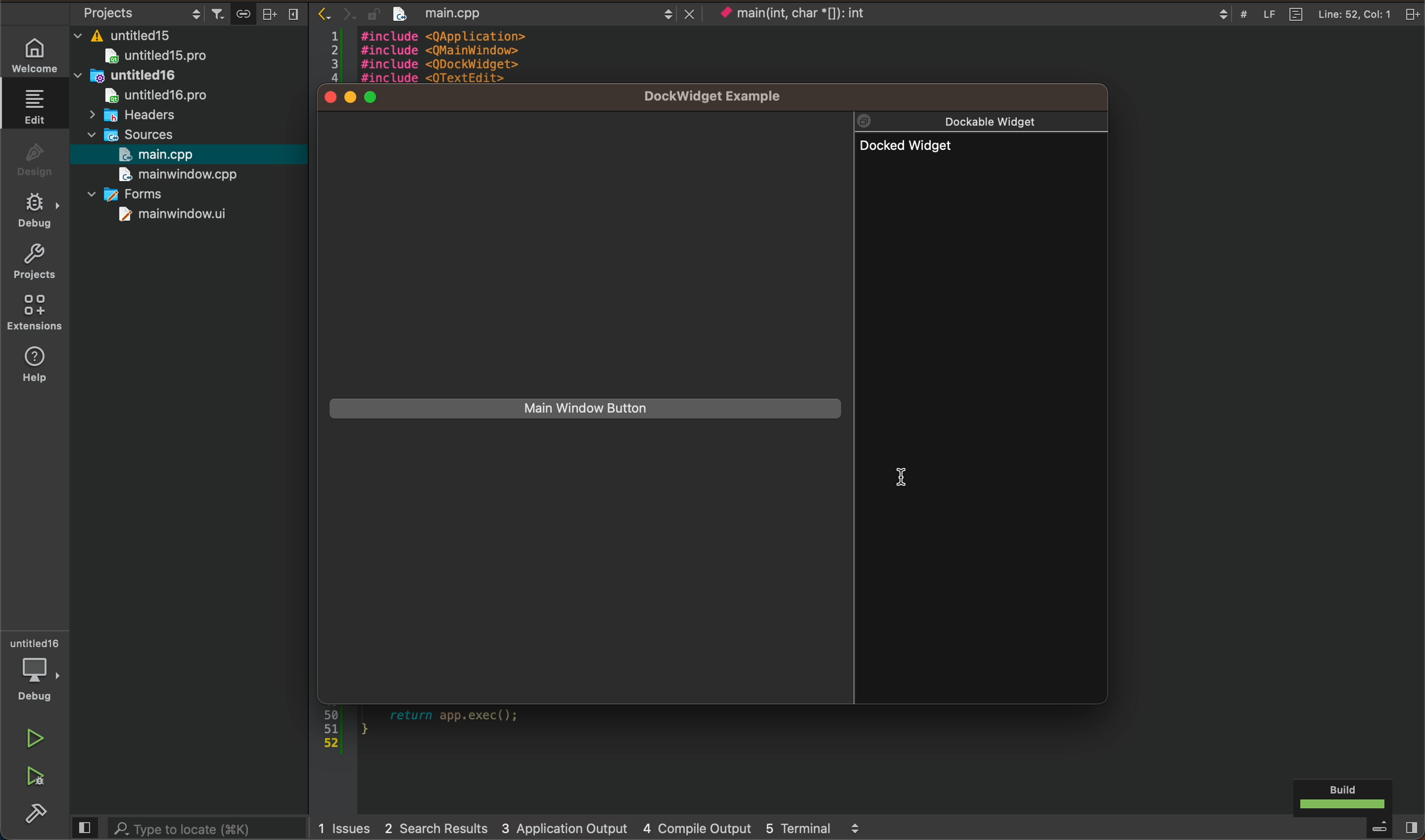 The height and width of the screenshot is (840, 1425). What do you see at coordinates (130, 75) in the screenshot?
I see `untitled16` at bounding box center [130, 75].